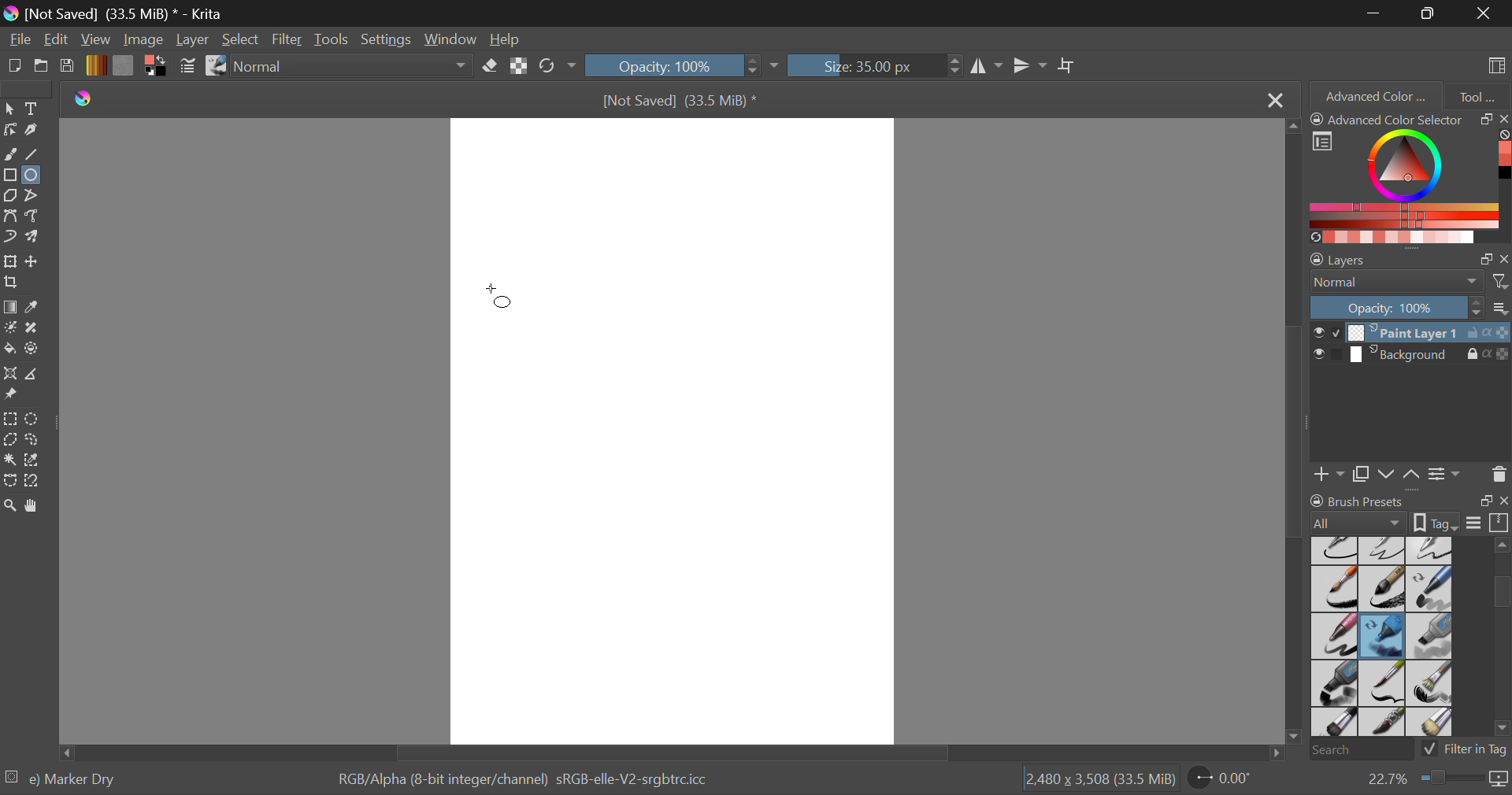 This screenshot has height=795, width=1512. I want to click on Birstles-5 Plain, so click(1433, 723).